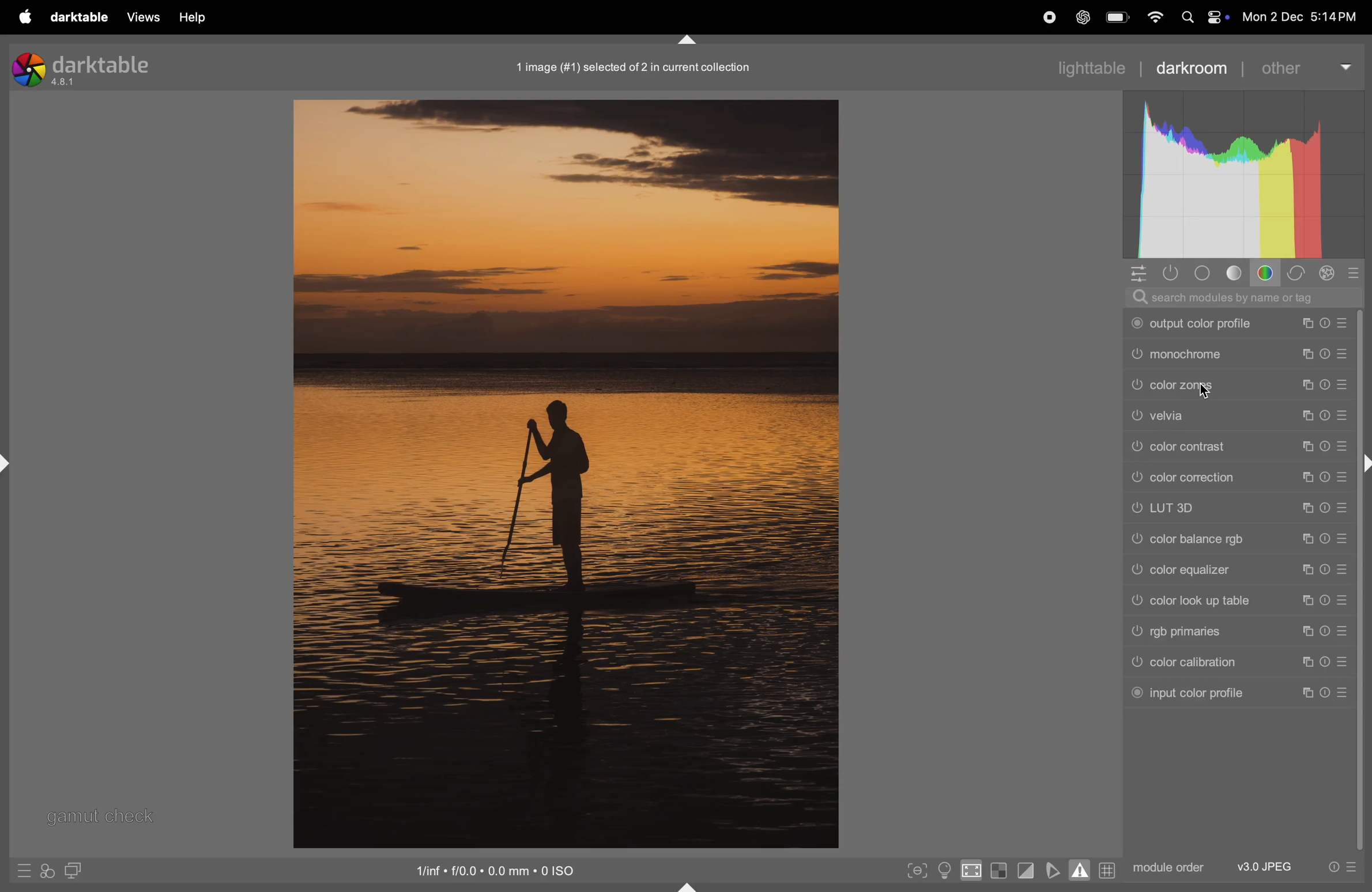  I want to click on color, so click(1267, 273).